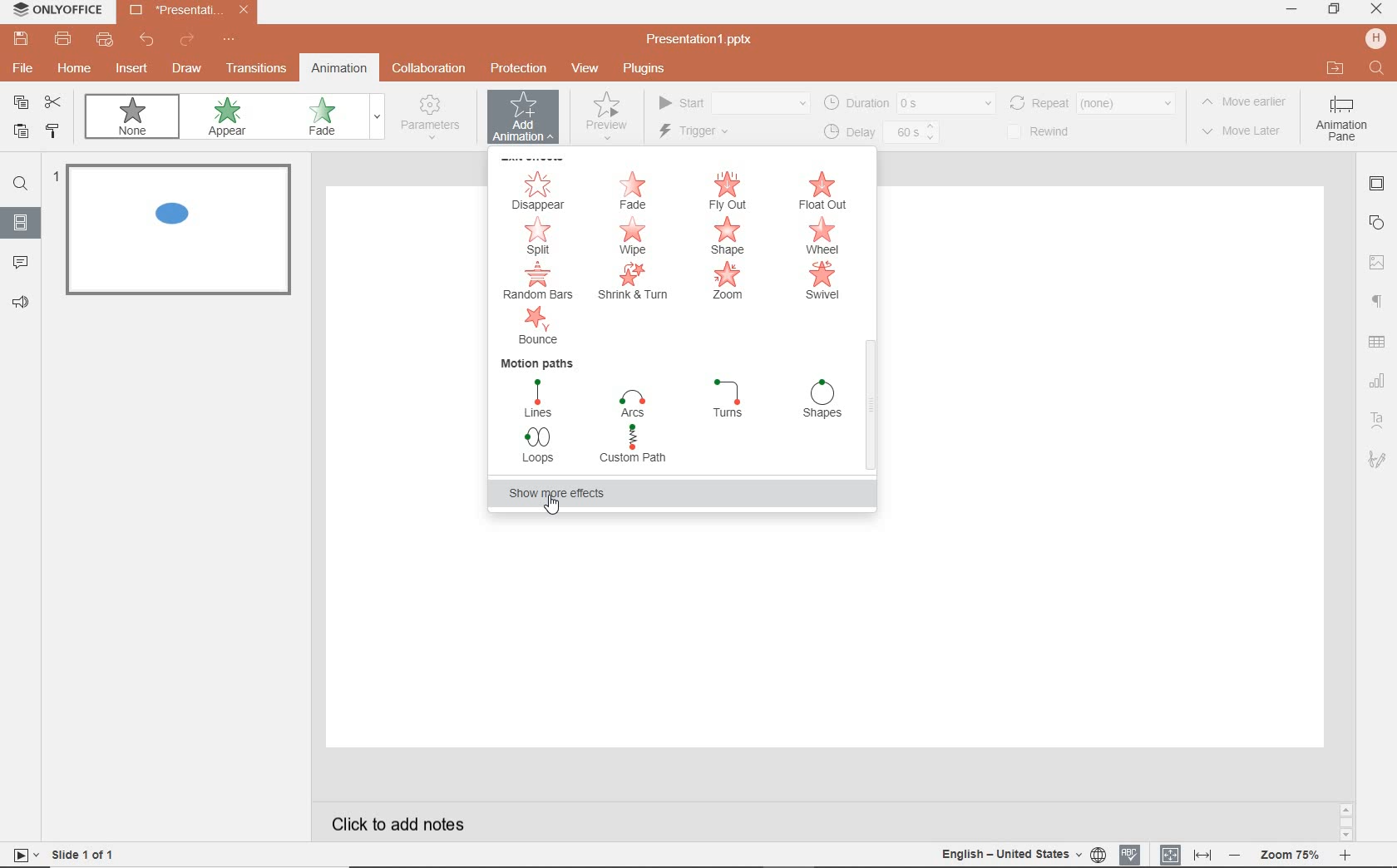  I want to click on CUSTOM PATH, so click(636, 446).